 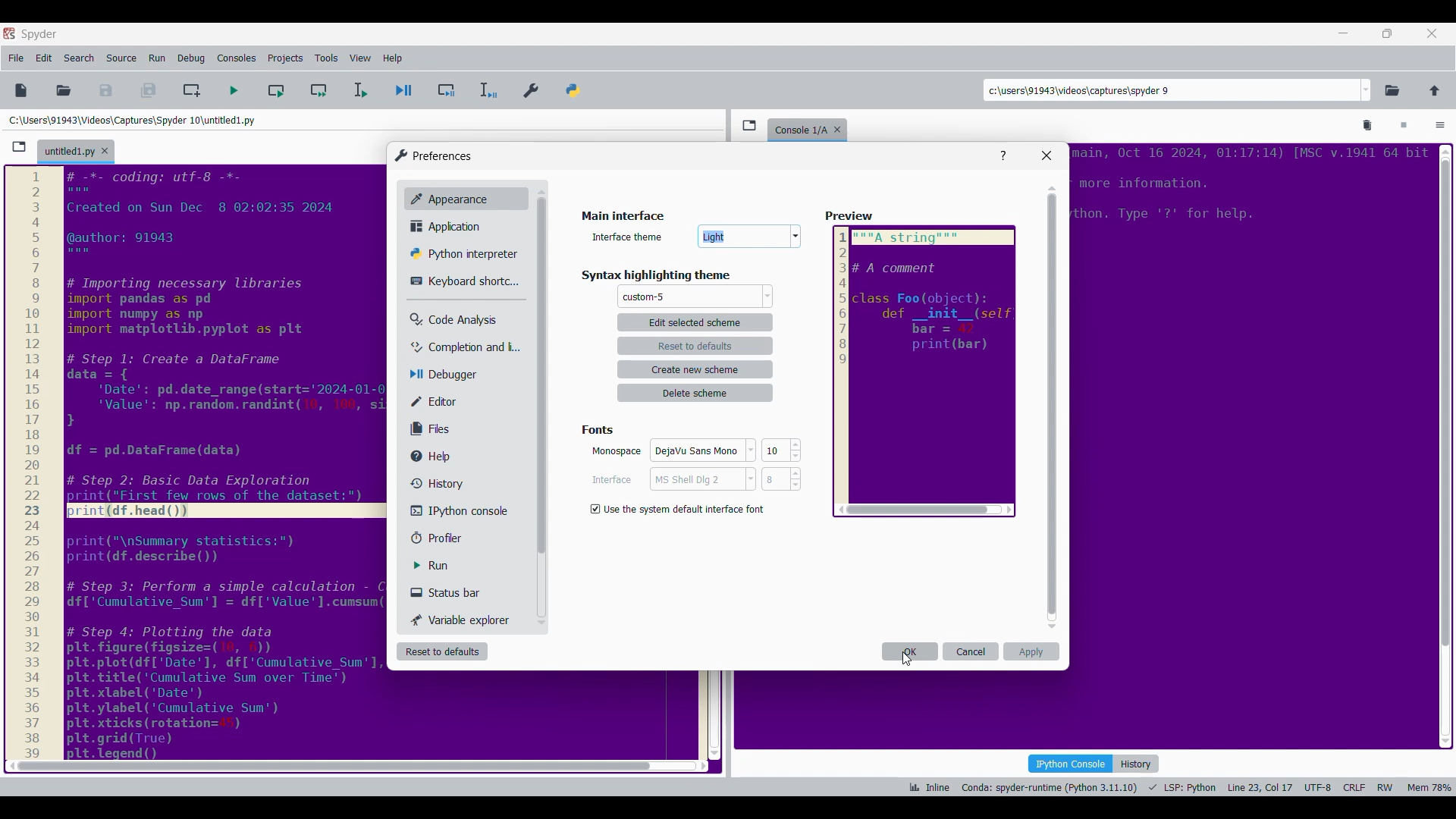 What do you see at coordinates (1053, 407) in the screenshot?
I see `Vertical slide bar` at bounding box center [1053, 407].